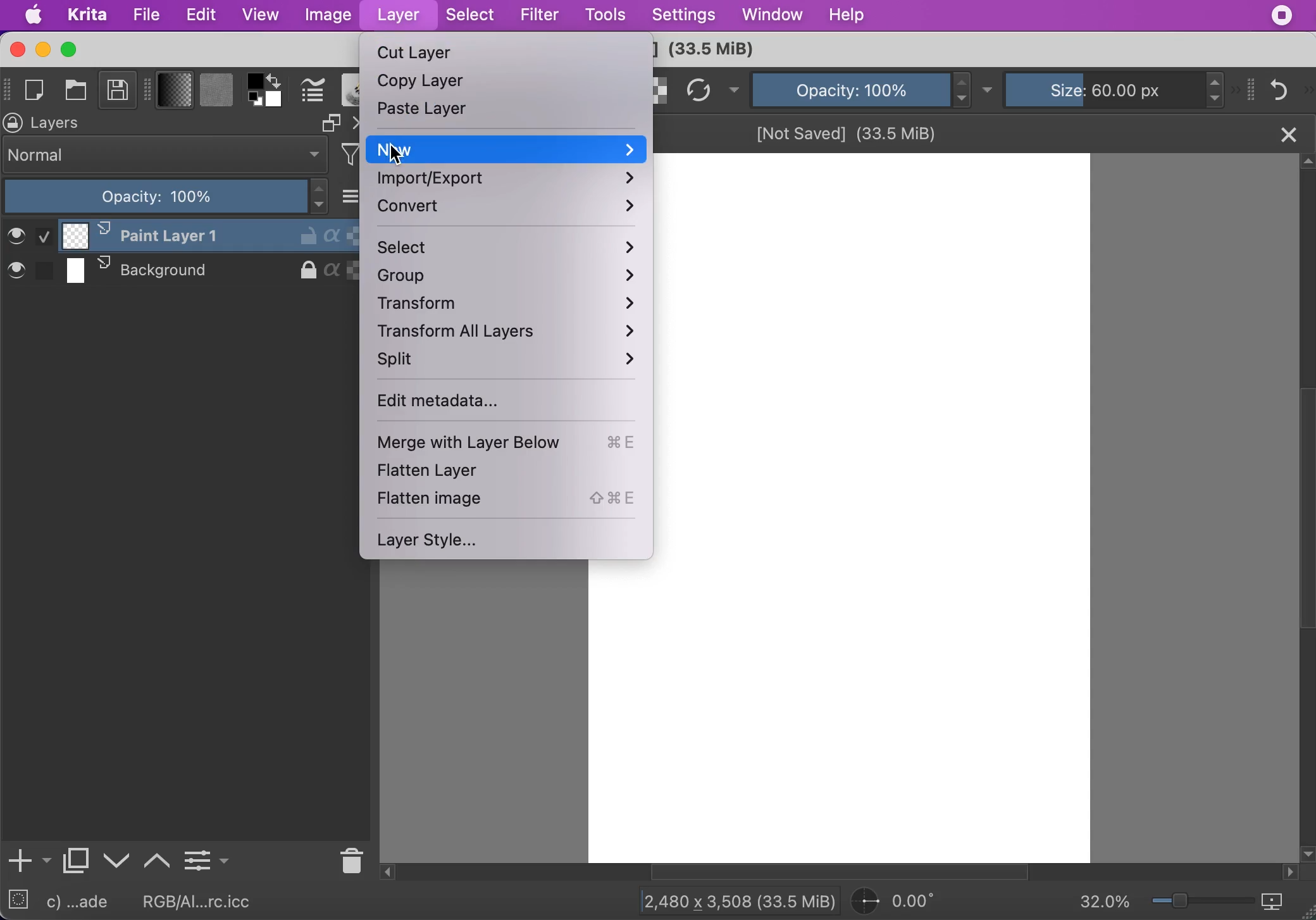 The width and height of the screenshot is (1316, 920). What do you see at coordinates (260, 14) in the screenshot?
I see `view` at bounding box center [260, 14].